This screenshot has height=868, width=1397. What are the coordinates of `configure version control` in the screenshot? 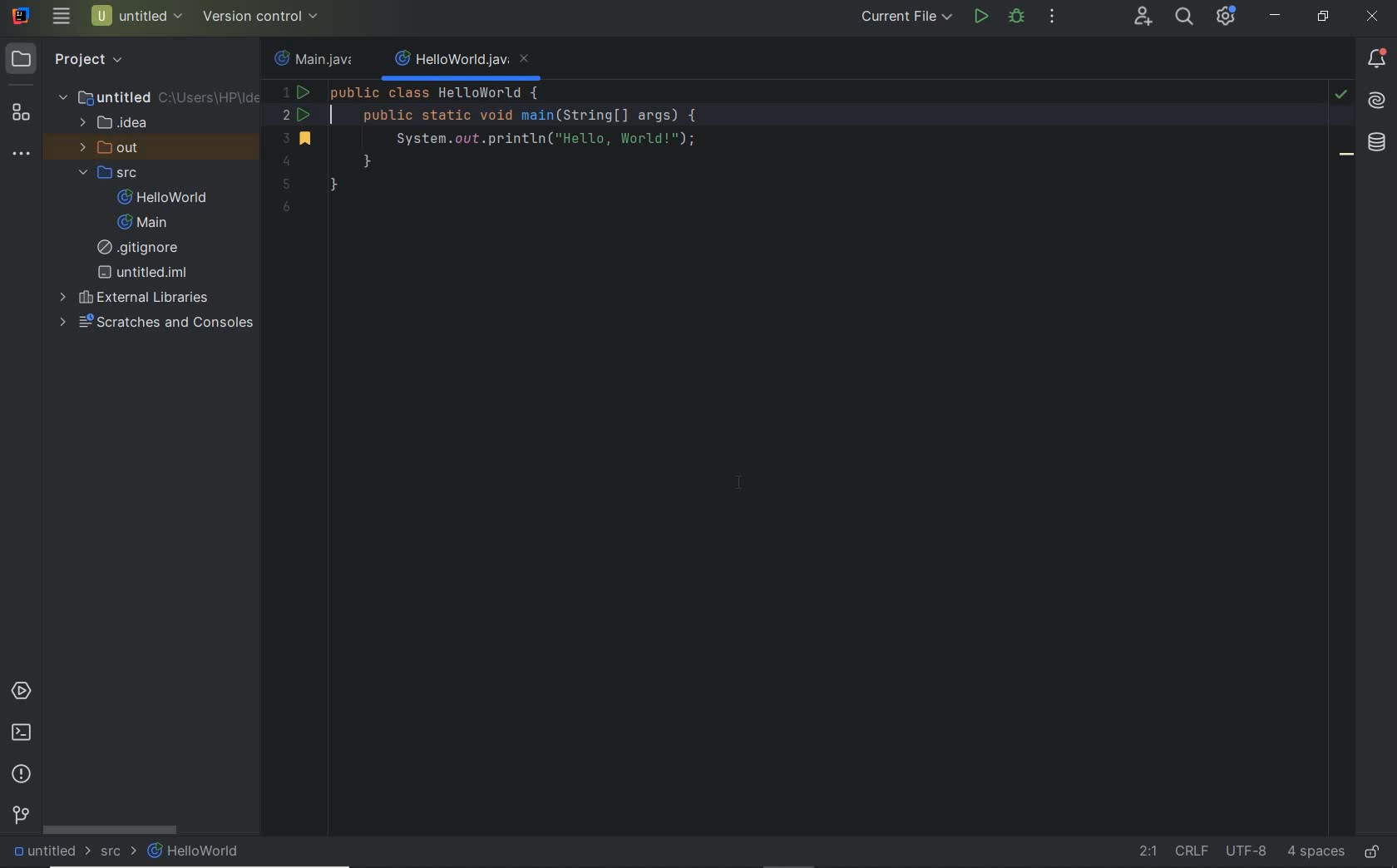 It's located at (259, 17).